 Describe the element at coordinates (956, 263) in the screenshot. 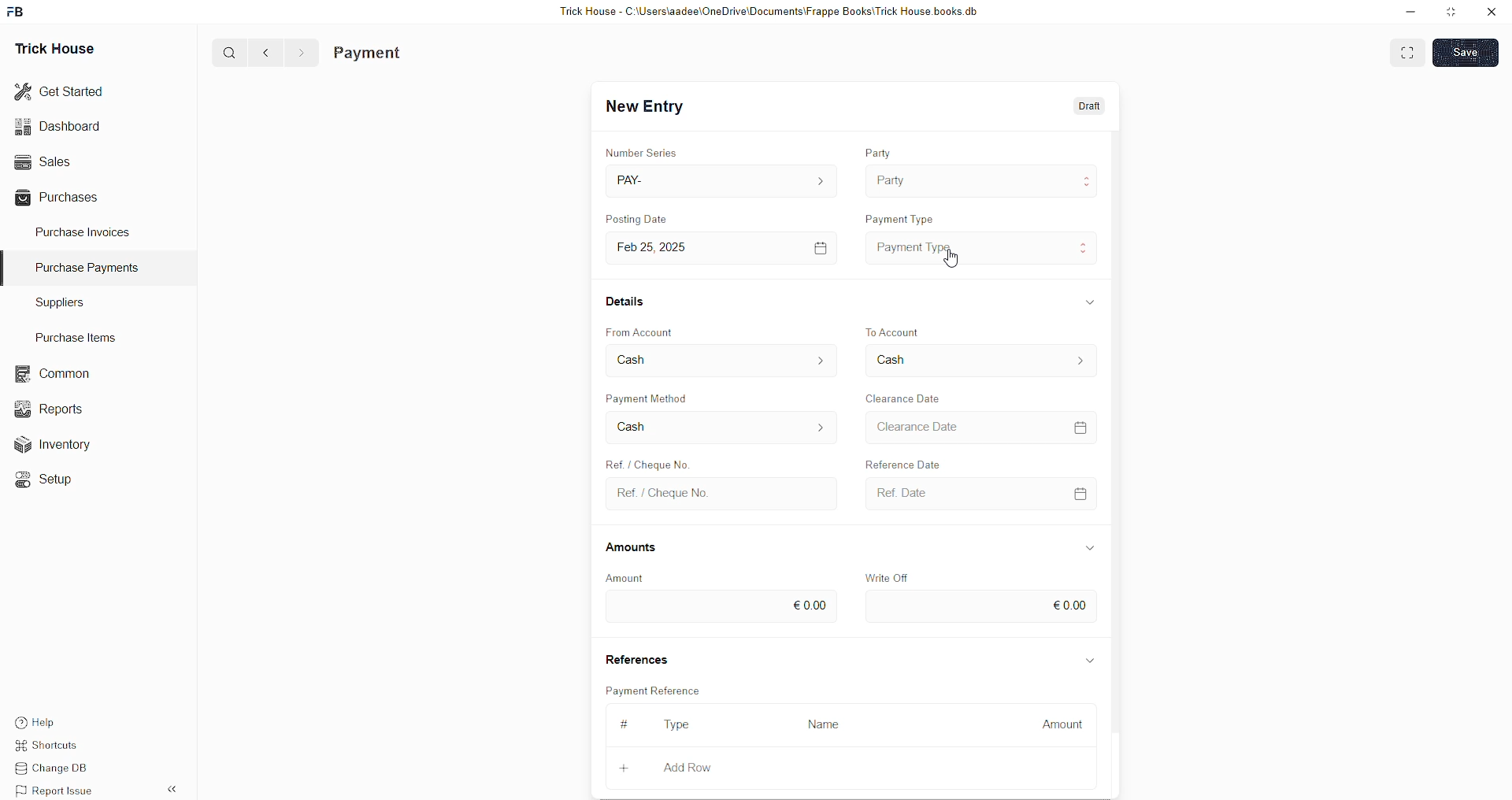

I see `cursor` at that location.